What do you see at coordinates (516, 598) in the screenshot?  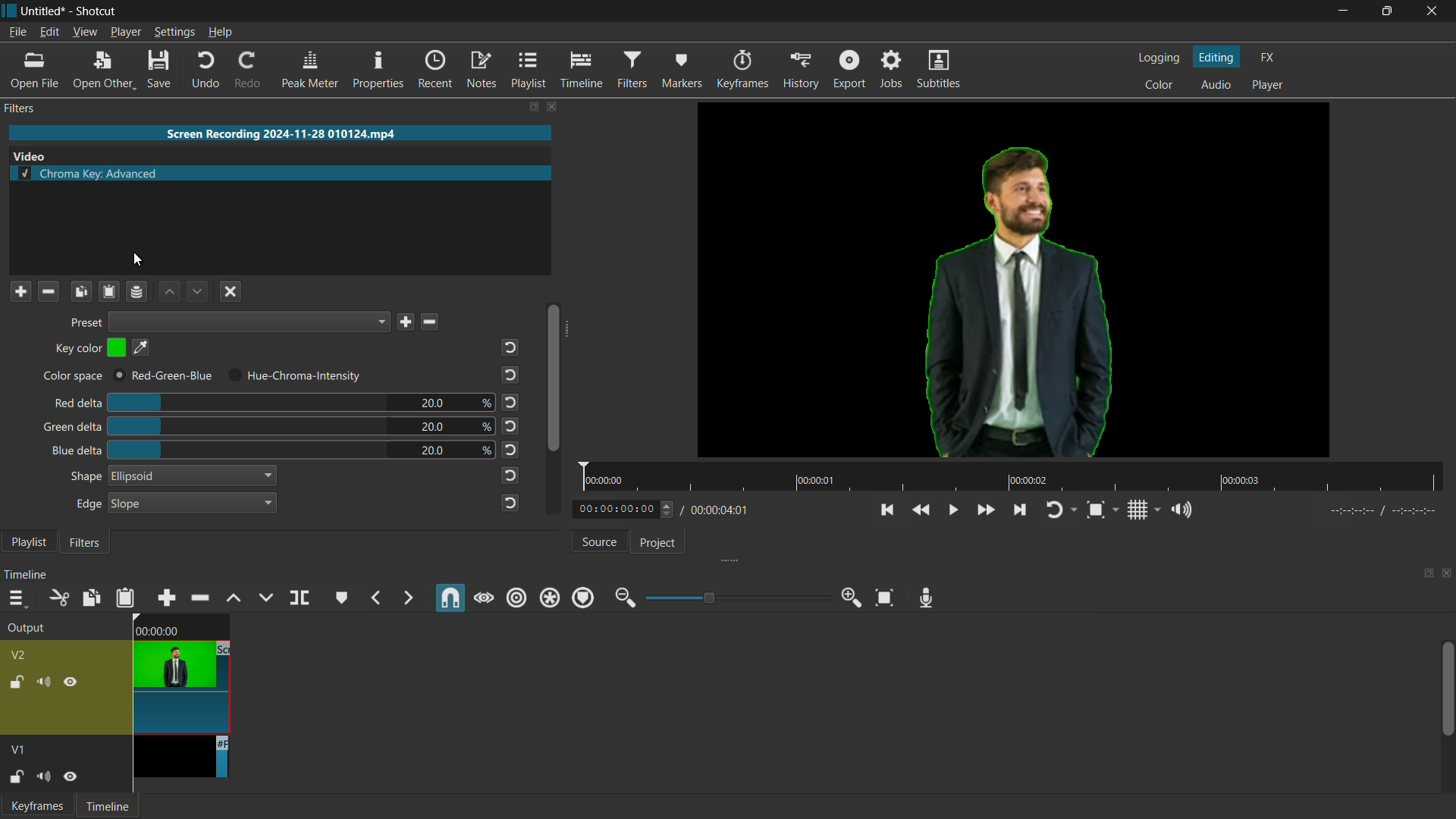 I see `ripple` at bounding box center [516, 598].